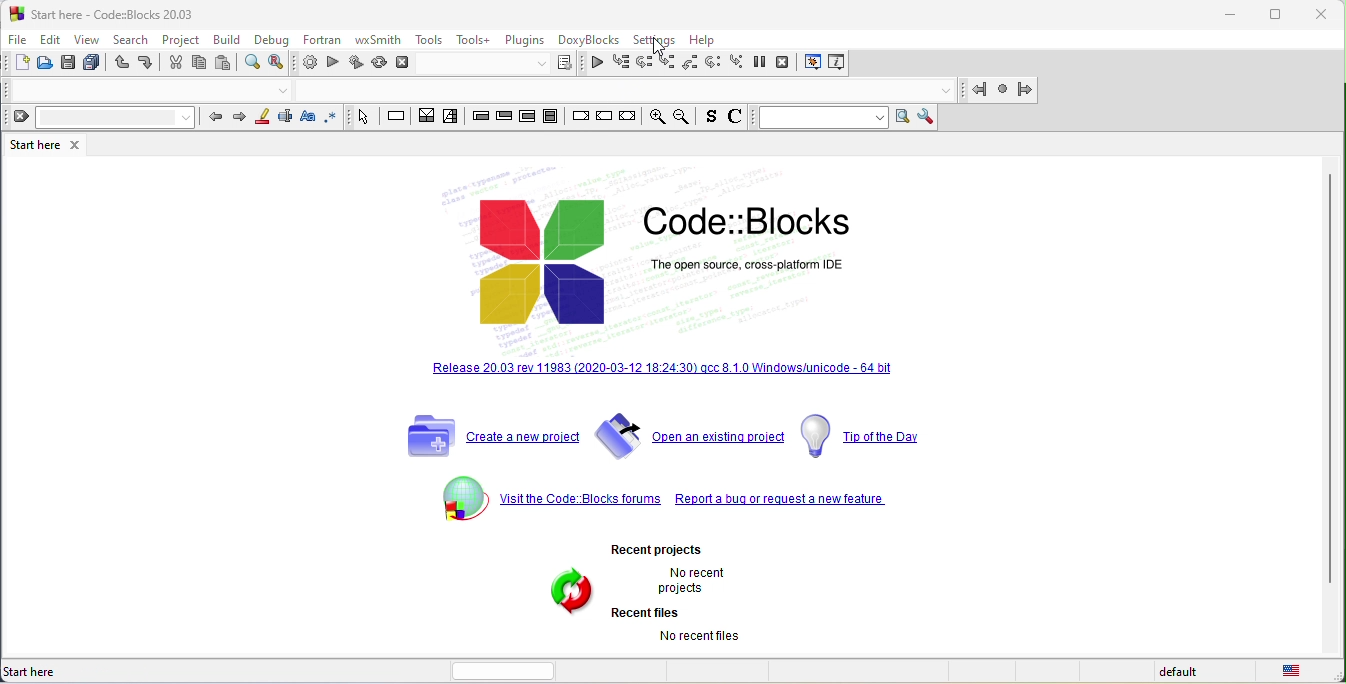 This screenshot has height=684, width=1346. Describe the element at coordinates (95, 66) in the screenshot. I see `save everything` at that location.